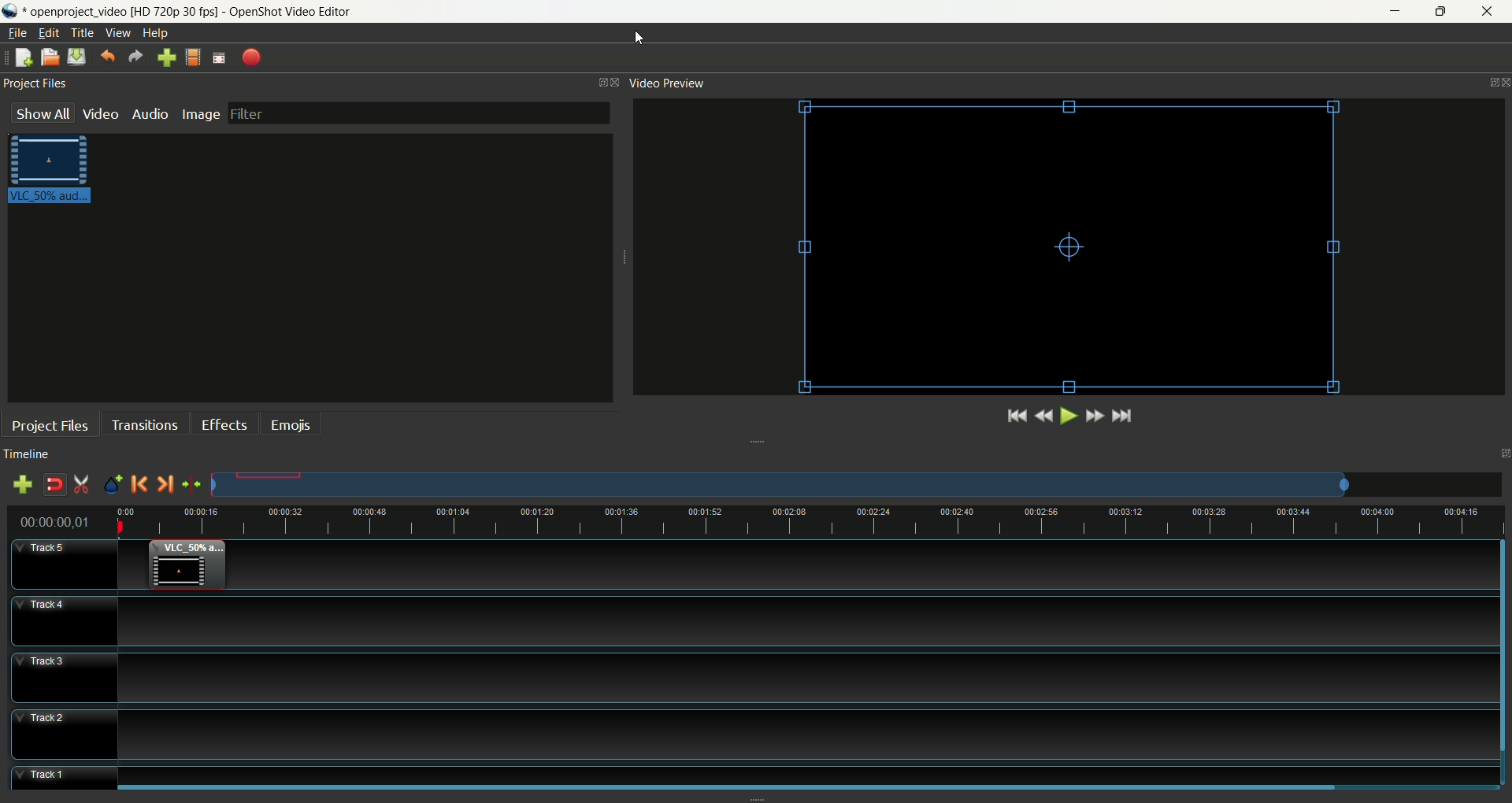 The height and width of the screenshot is (803, 1512). I want to click on open project, so click(50, 57).